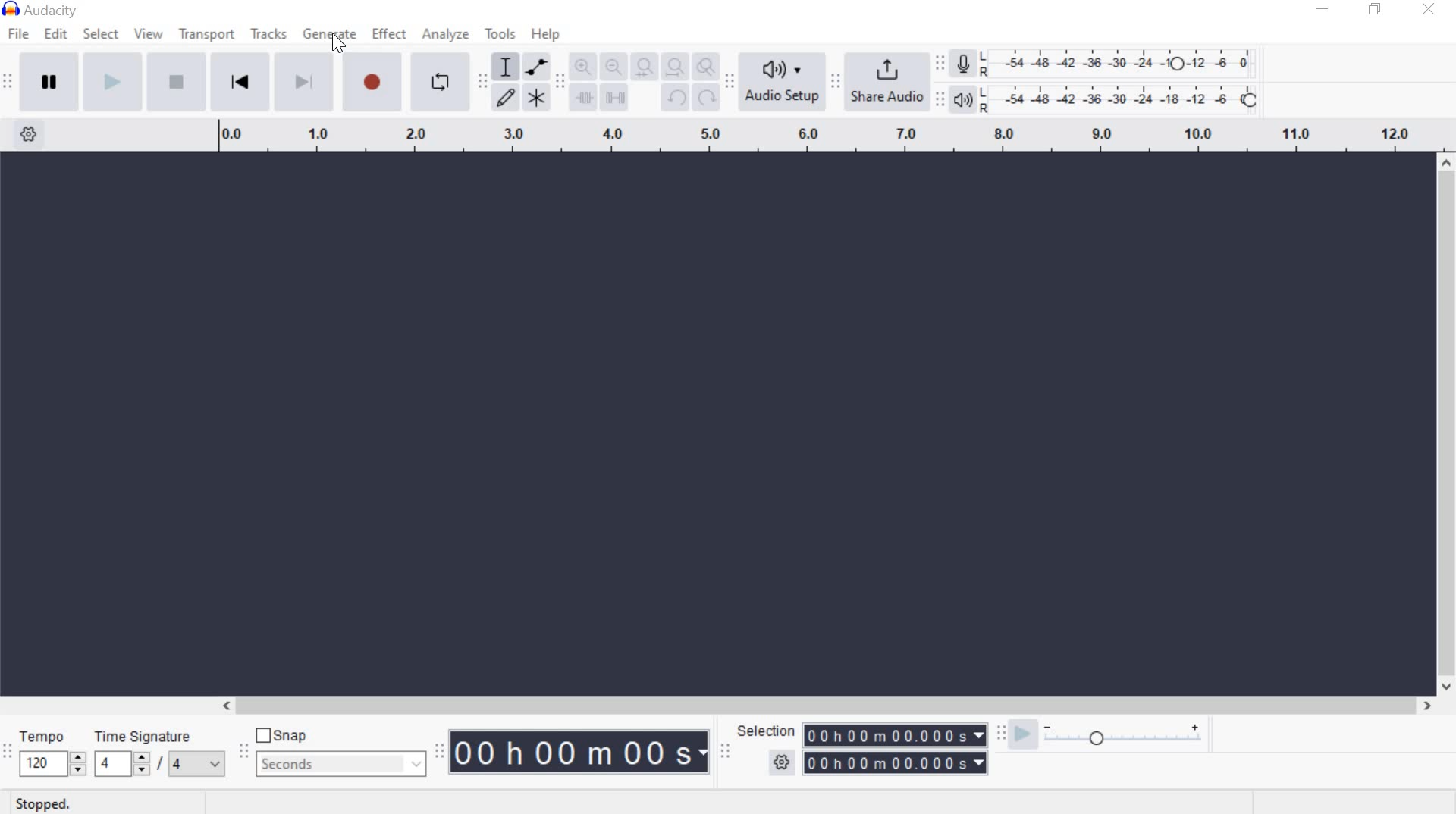 This screenshot has height=814, width=1456. Describe the element at coordinates (938, 99) in the screenshot. I see `Playback meter toolbar` at that location.